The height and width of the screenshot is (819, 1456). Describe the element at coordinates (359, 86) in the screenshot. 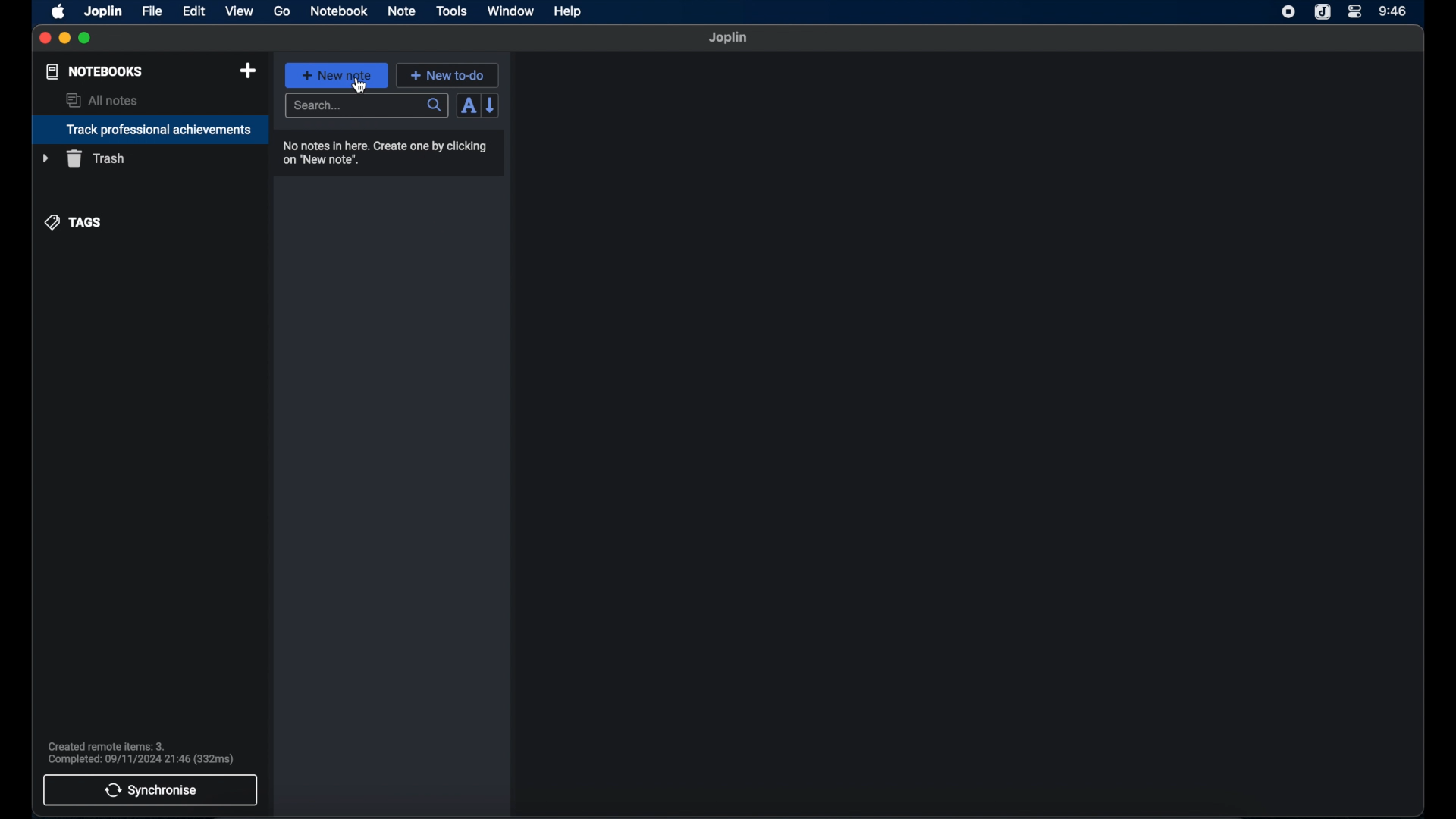

I see `cursor` at that location.